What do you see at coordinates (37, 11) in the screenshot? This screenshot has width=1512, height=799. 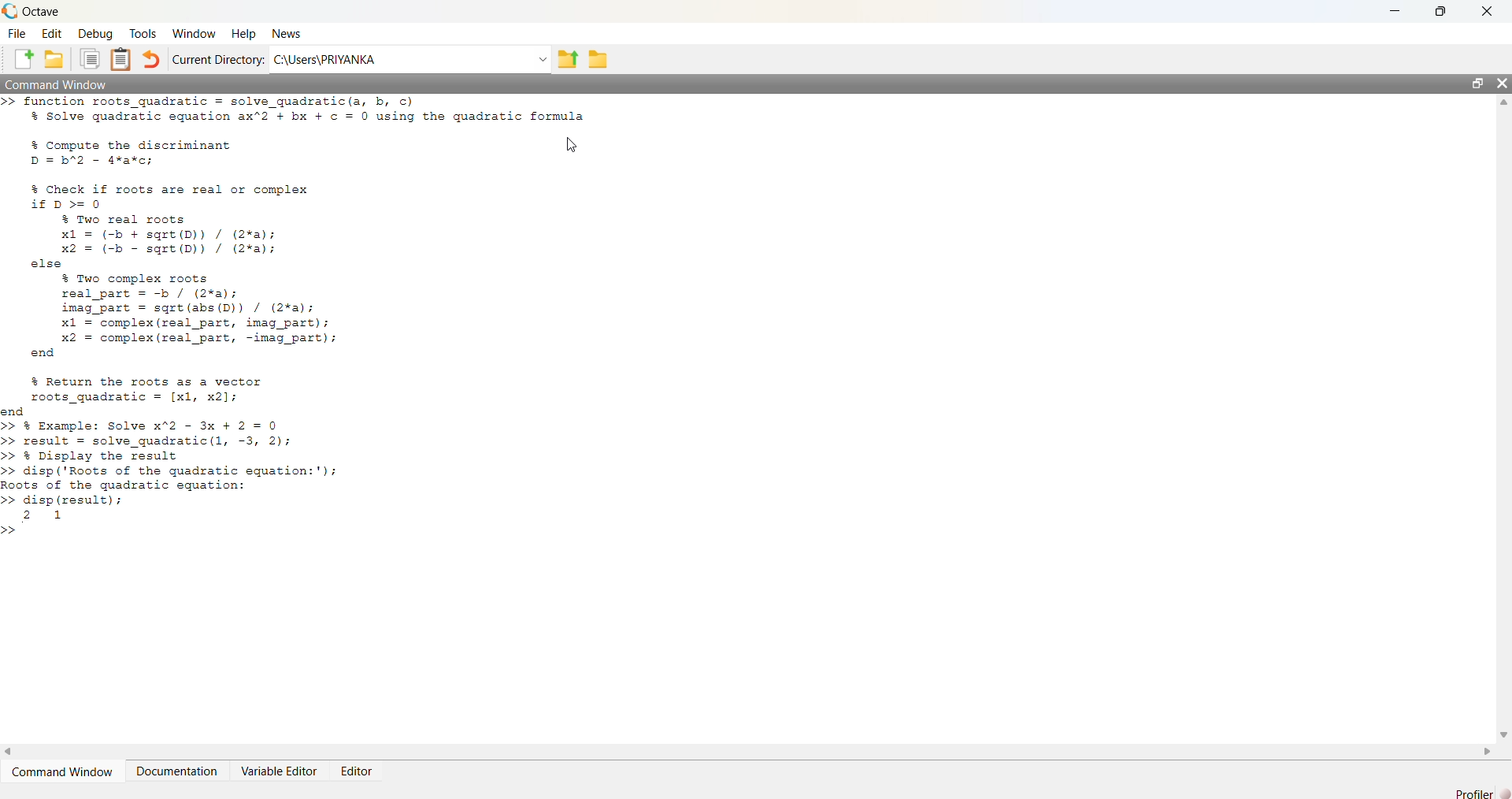 I see `Octave` at bounding box center [37, 11].